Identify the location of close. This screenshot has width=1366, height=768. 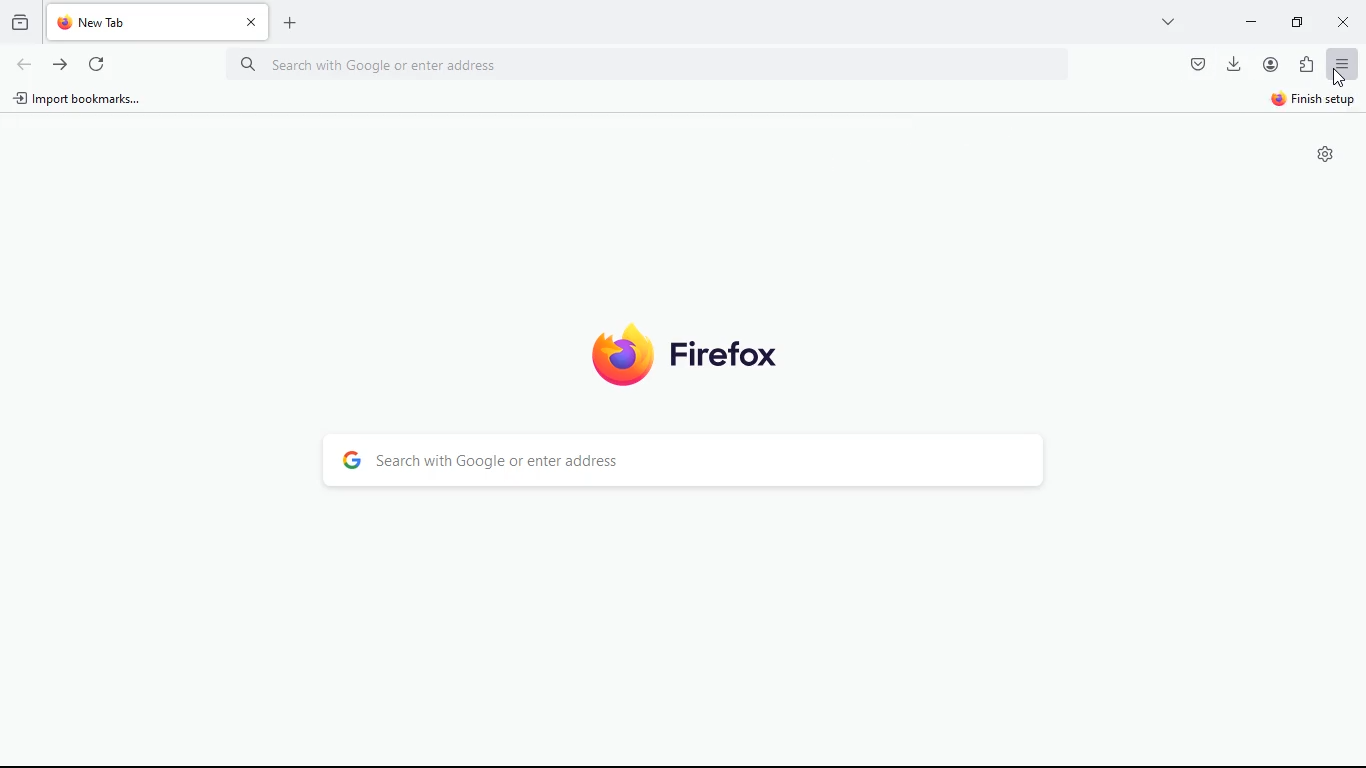
(1346, 24).